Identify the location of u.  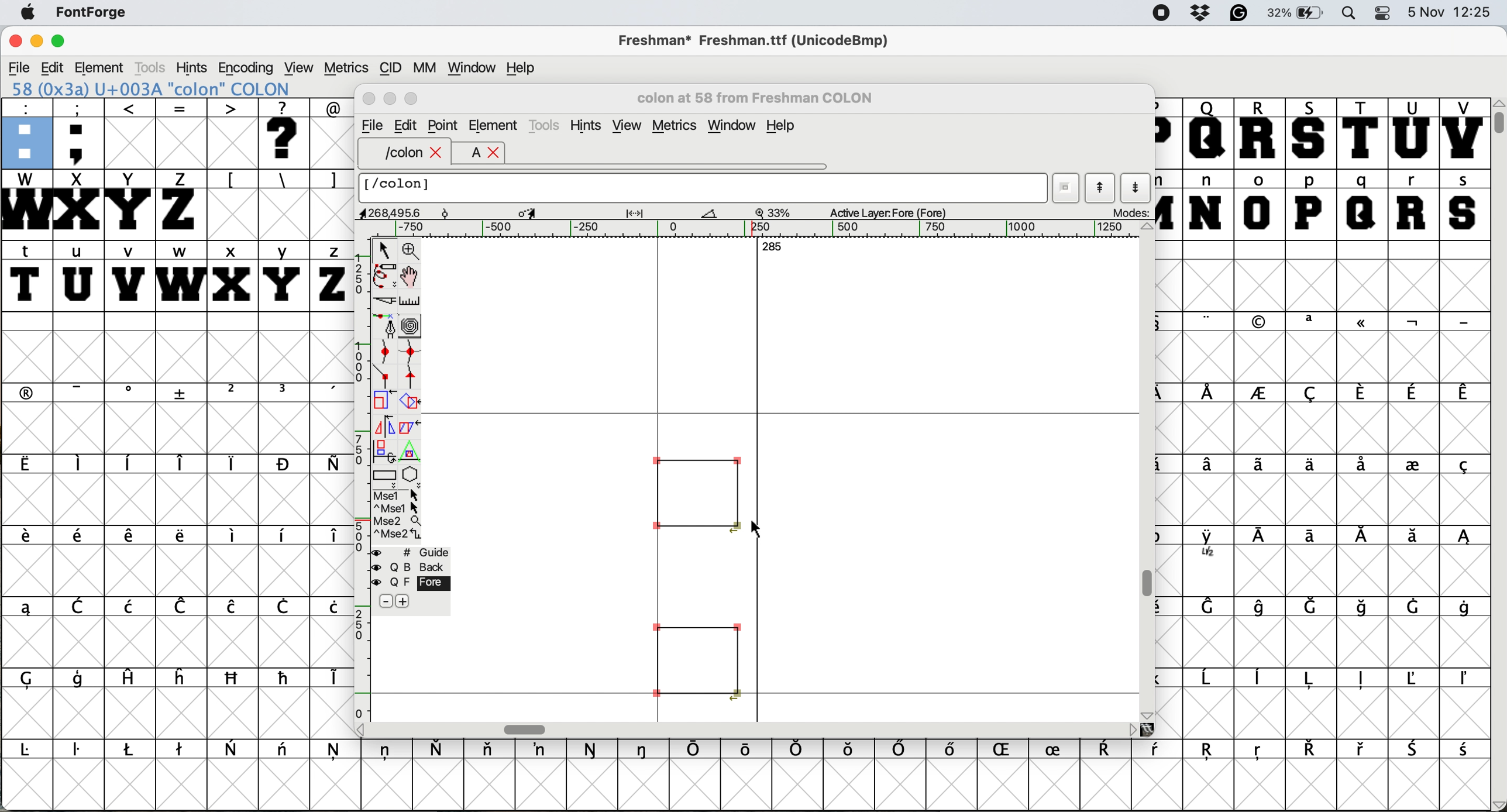
(78, 277).